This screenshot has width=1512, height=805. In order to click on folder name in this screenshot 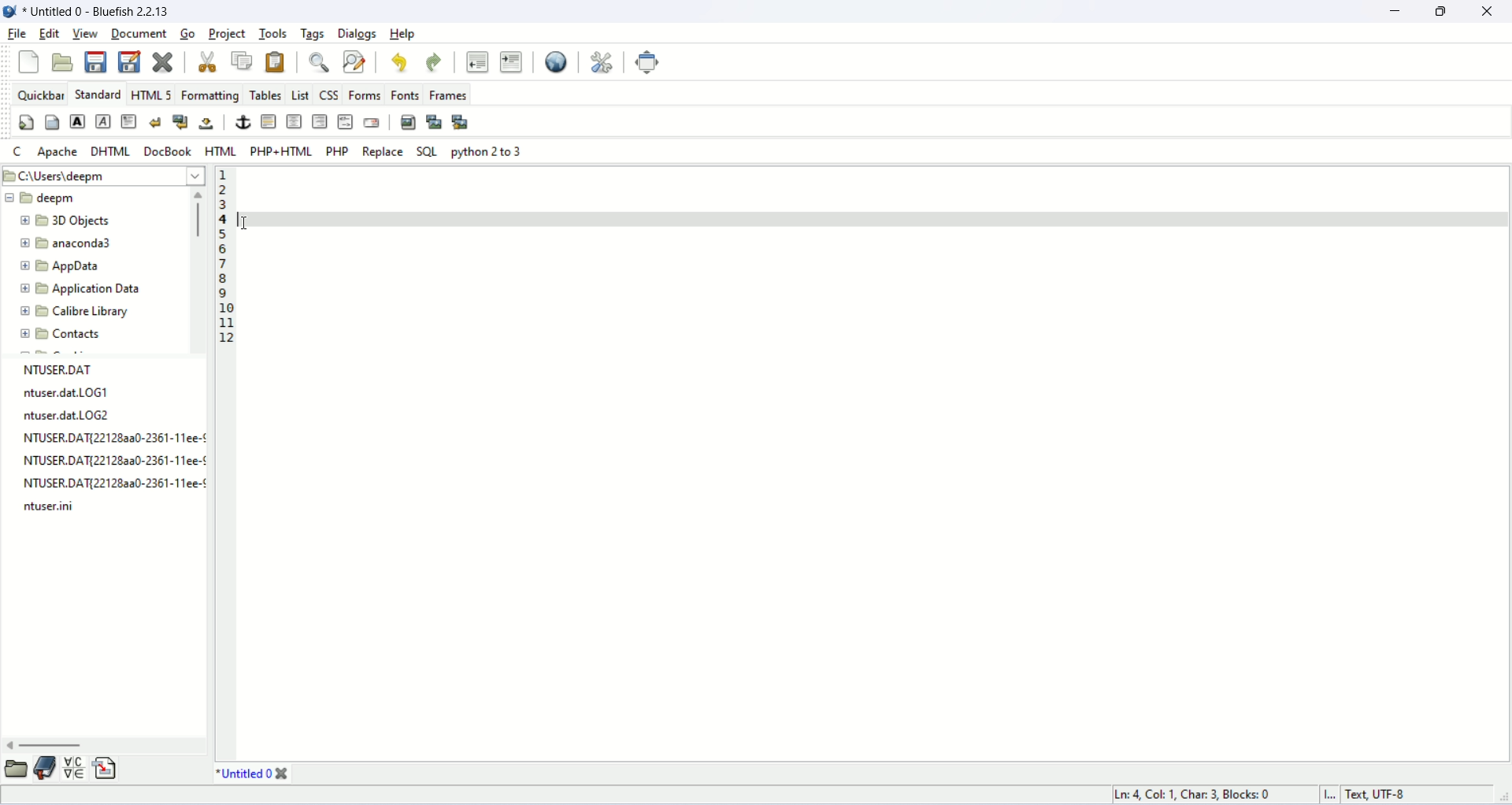, I will do `click(97, 221)`.